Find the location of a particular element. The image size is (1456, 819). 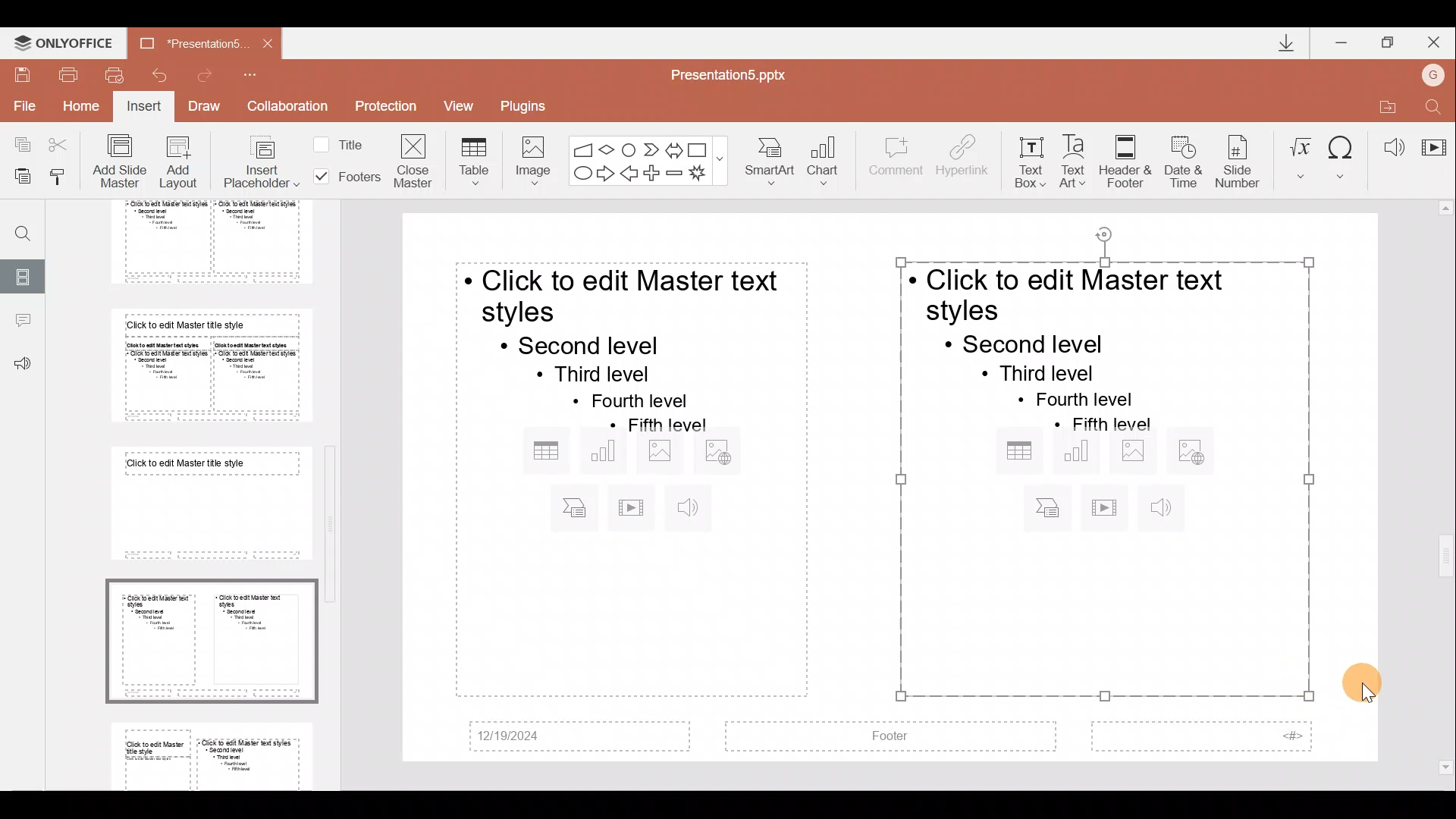

Inserted placeholder on presentation slide is located at coordinates (632, 477).